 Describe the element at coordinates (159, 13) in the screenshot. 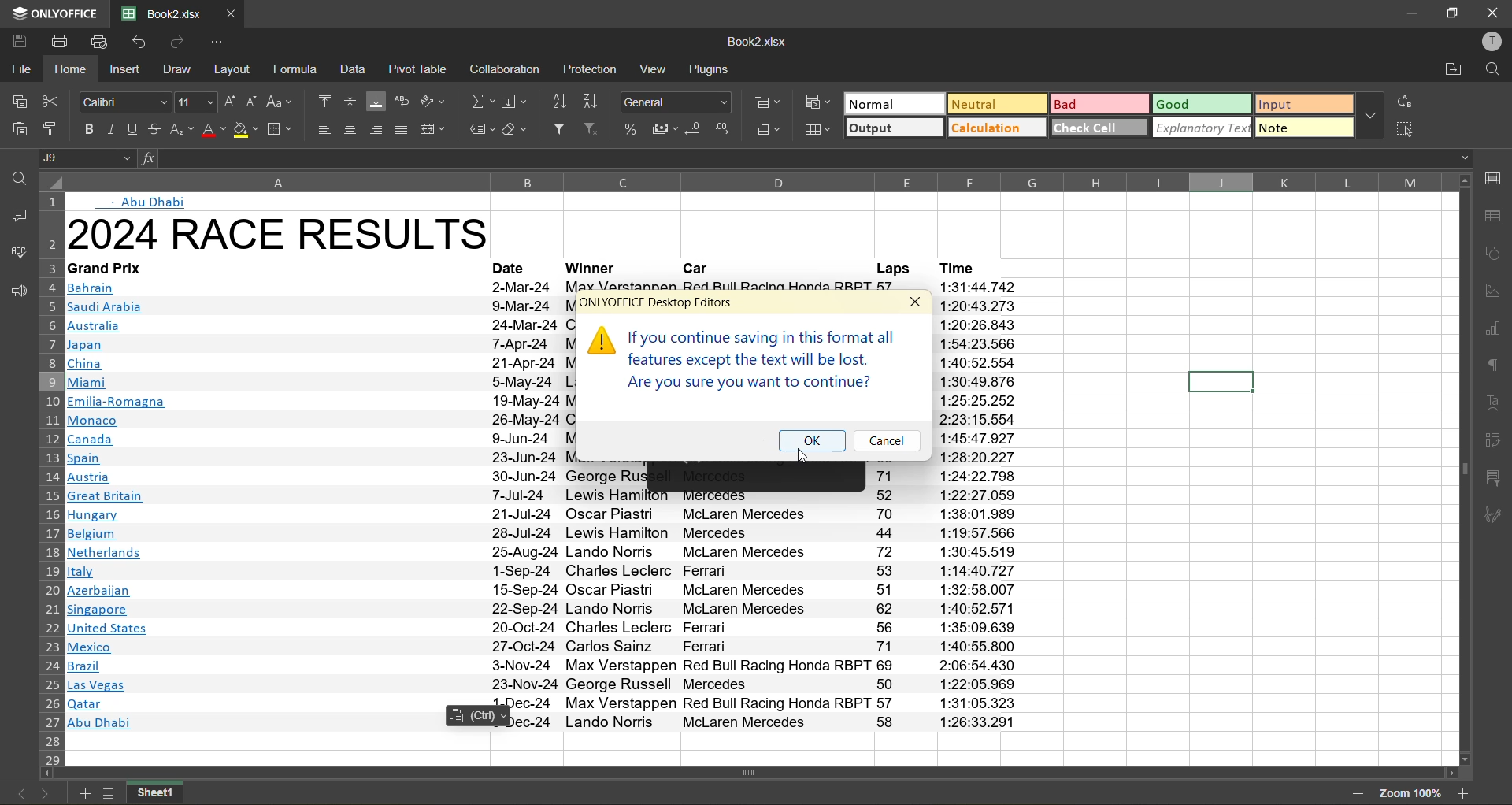

I see `filename` at that location.